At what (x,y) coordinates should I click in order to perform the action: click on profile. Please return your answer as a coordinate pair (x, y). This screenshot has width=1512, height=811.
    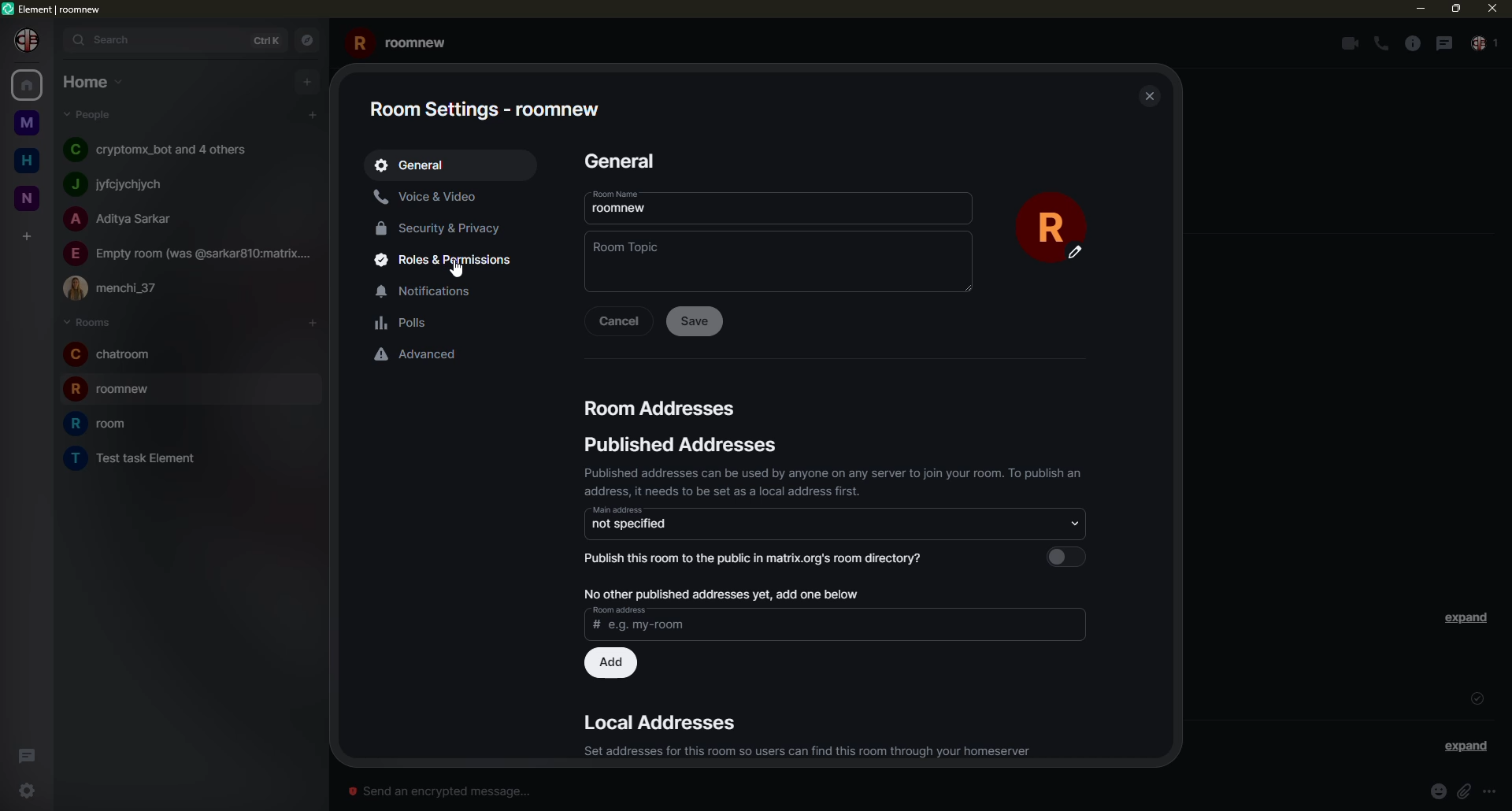
    Looking at the image, I should click on (1054, 227).